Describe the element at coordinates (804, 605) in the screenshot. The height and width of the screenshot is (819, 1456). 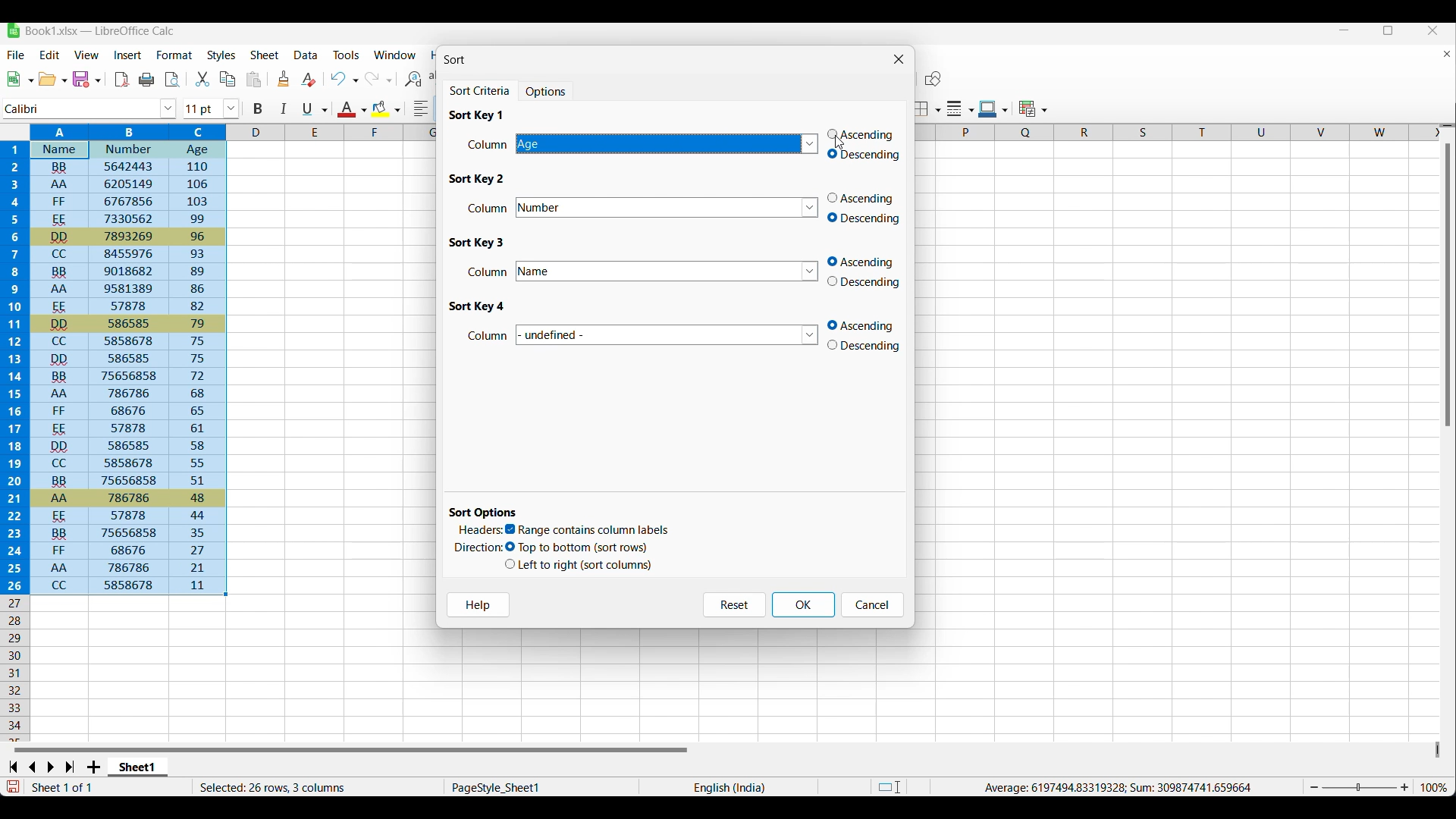
I see `Save inputs` at that location.